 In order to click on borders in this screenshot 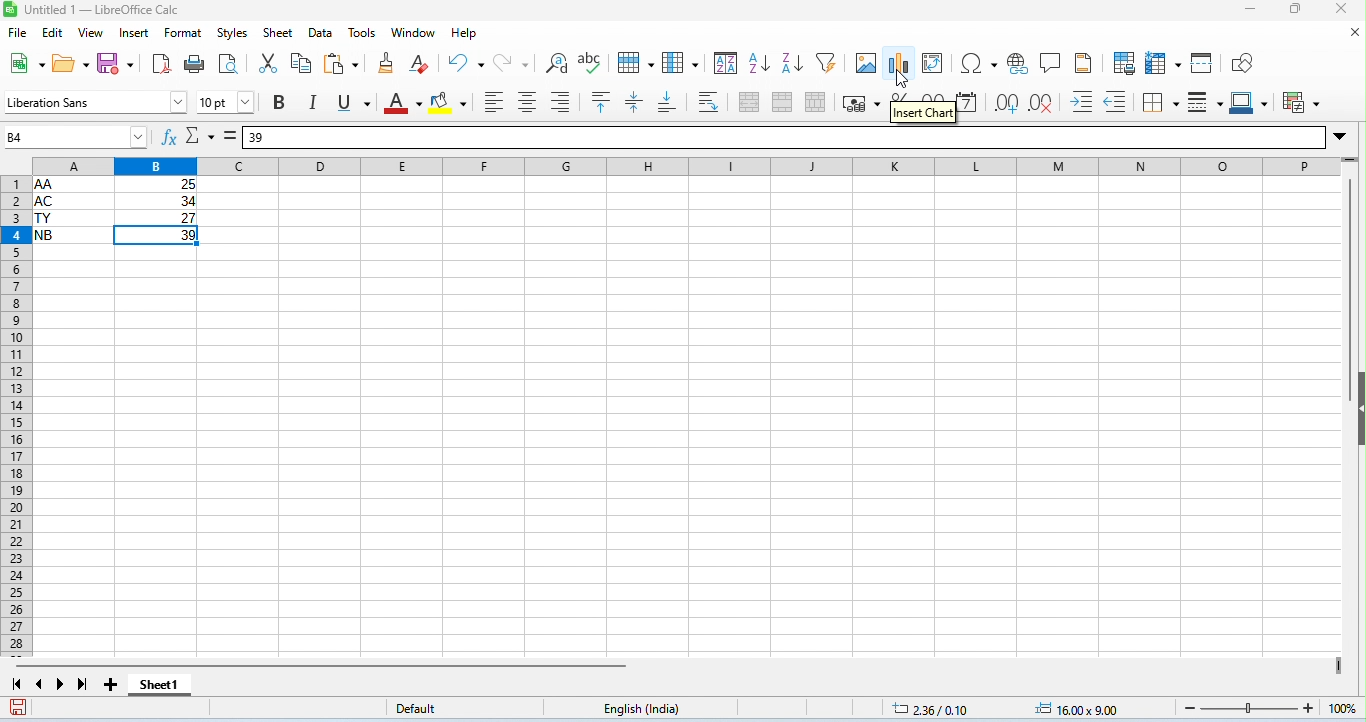, I will do `click(1162, 104)`.